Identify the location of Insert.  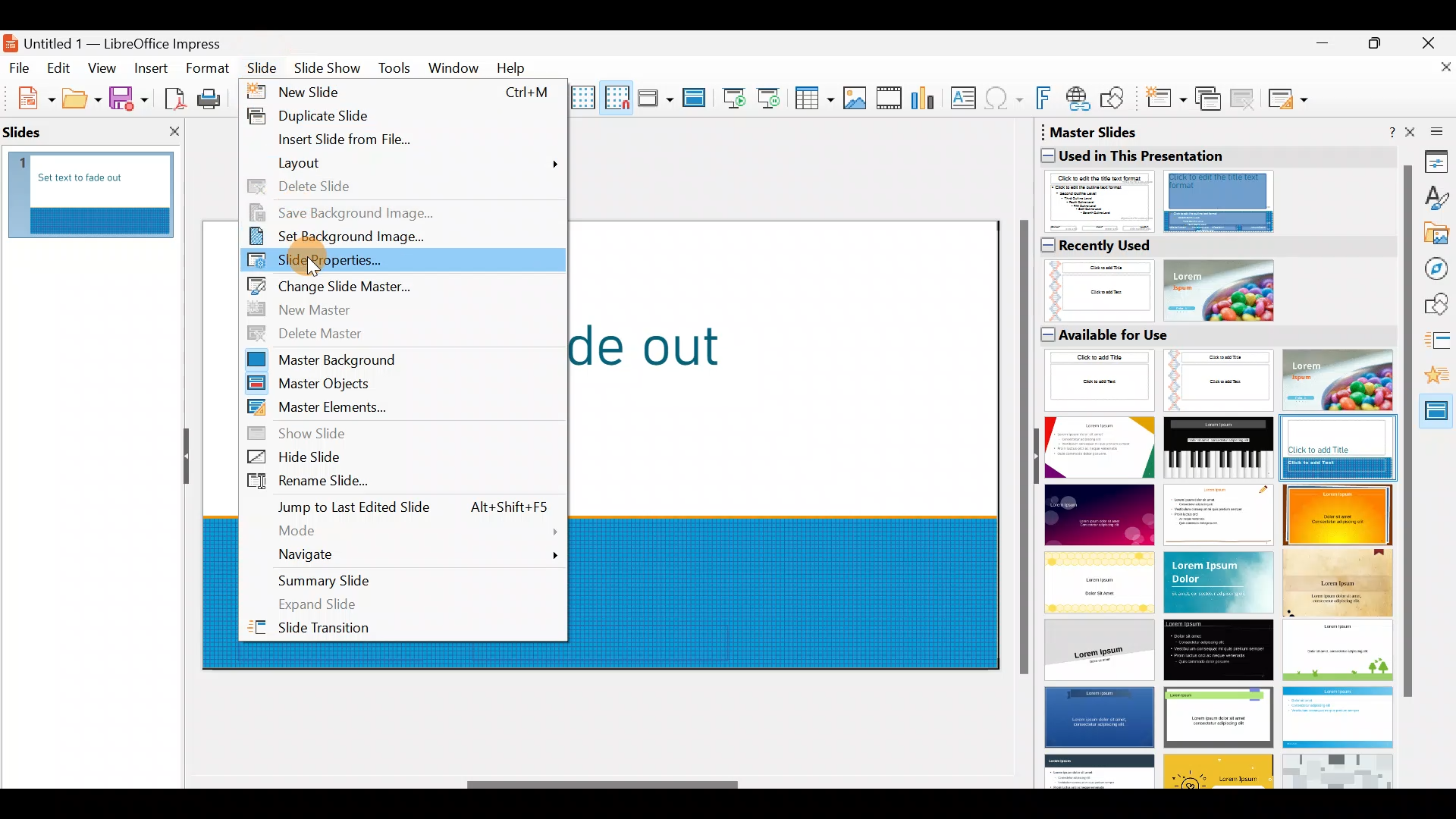
(150, 68).